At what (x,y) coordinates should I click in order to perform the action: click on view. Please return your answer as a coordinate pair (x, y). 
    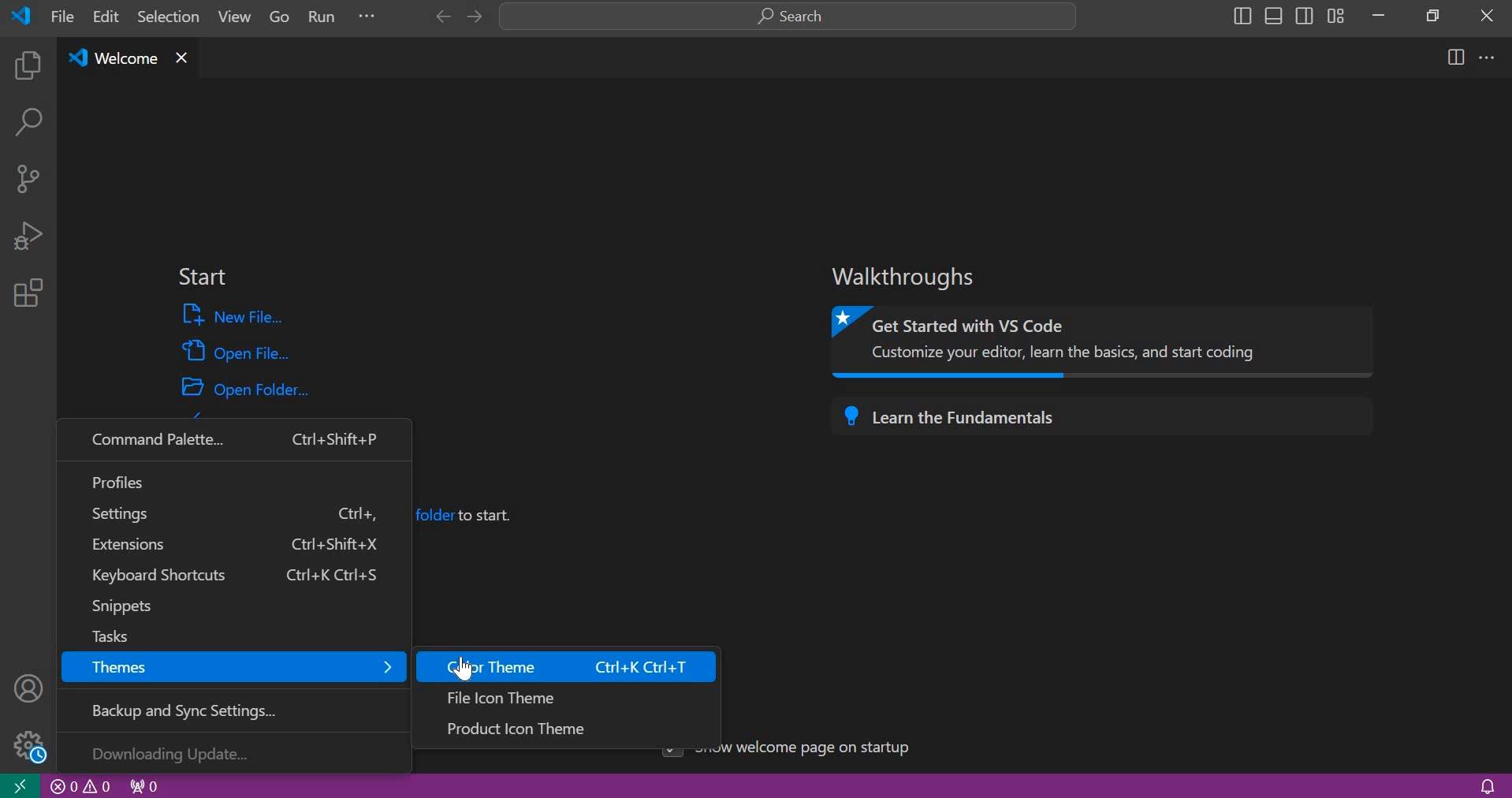
    Looking at the image, I should click on (230, 20).